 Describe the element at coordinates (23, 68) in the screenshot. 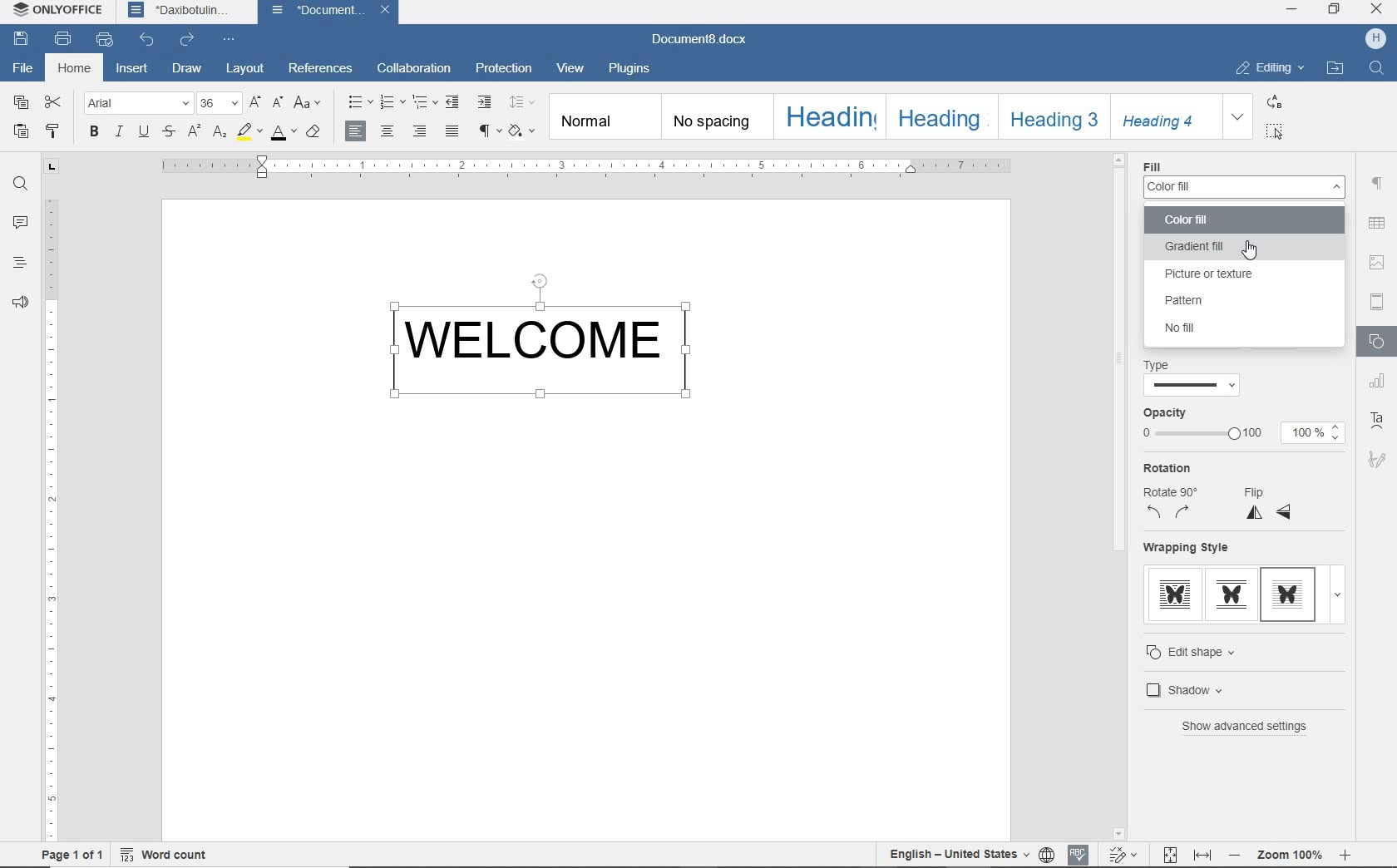

I see `FILE` at that location.